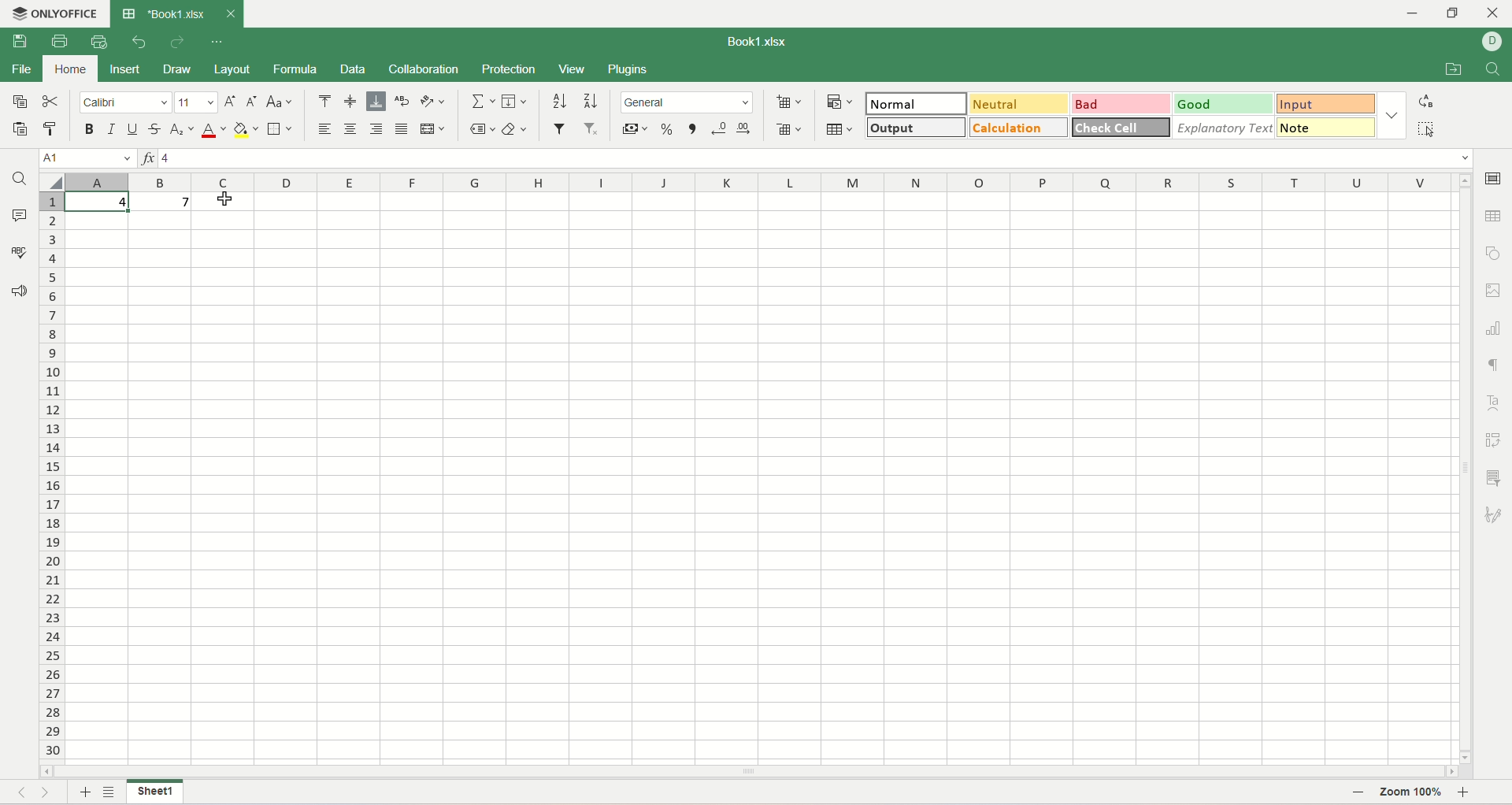 This screenshot has width=1512, height=805. Describe the element at coordinates (760, 42) in the screenshot. I see `book1.xlsx` at that location.